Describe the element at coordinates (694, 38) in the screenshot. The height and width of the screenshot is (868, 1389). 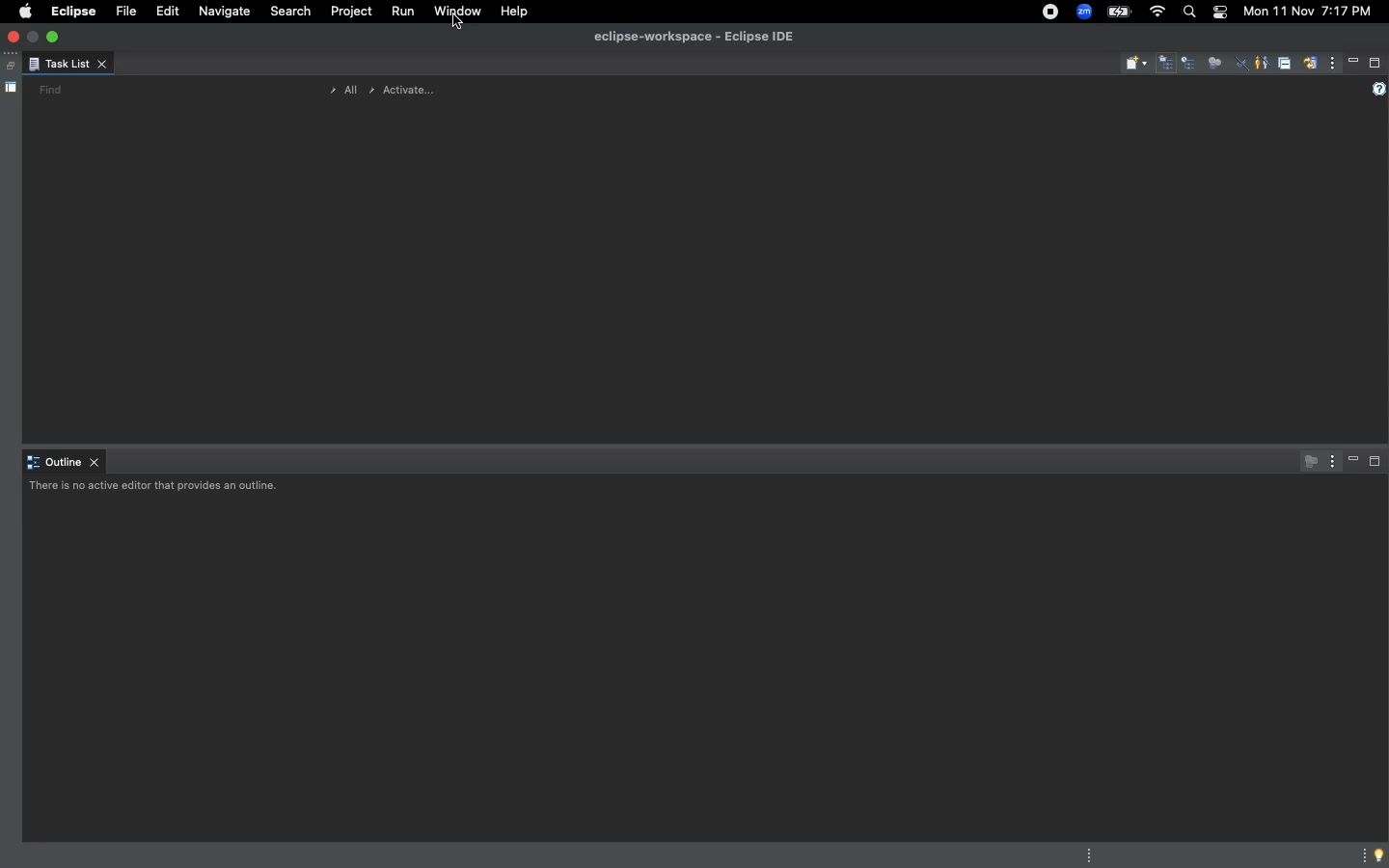
I see `Eclipse - workspace - Eclipse IDE` at that location.